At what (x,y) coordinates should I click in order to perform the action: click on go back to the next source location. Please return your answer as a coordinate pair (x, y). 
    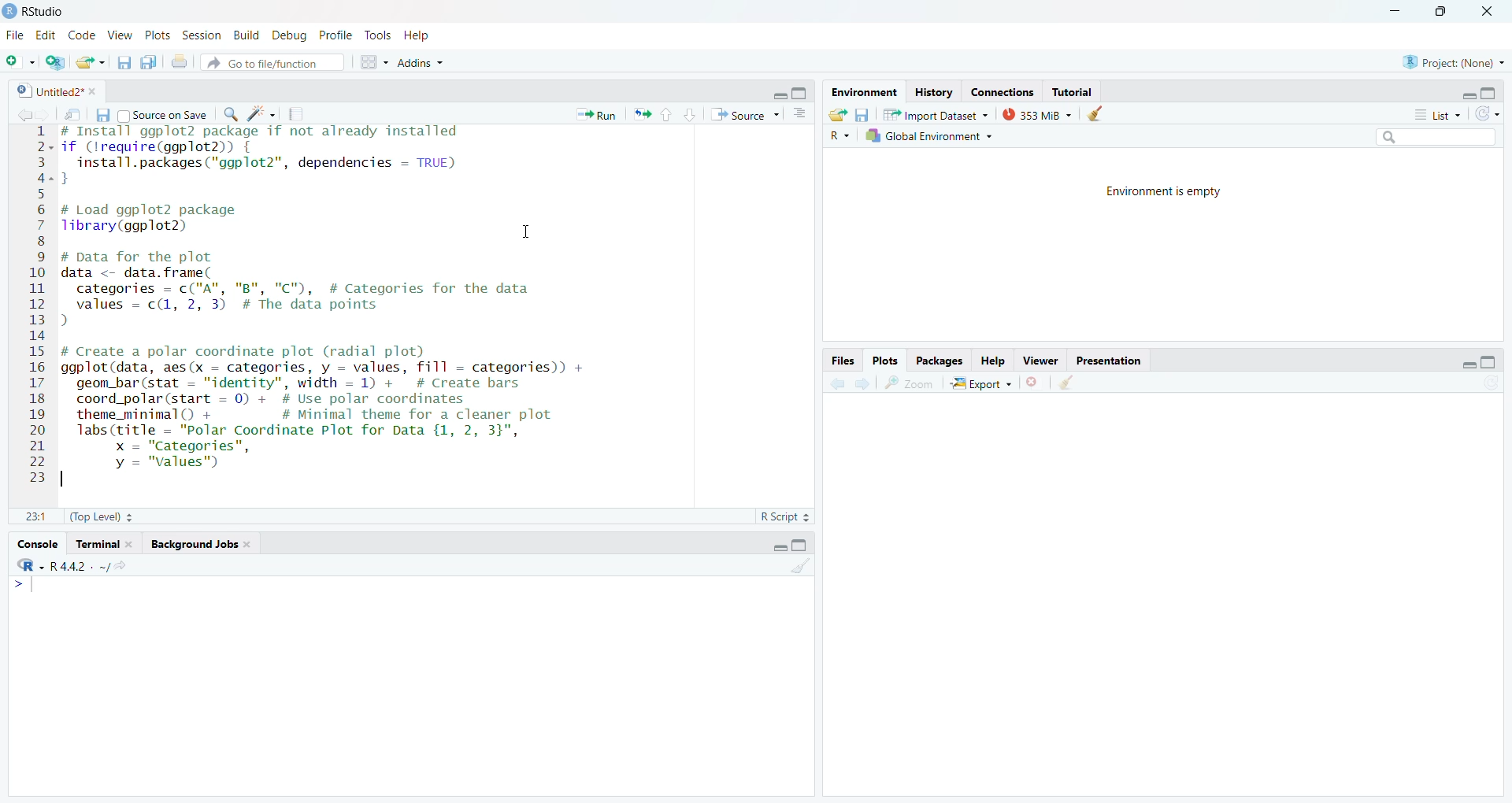
    Looking at the image, I should click on (46, 114).